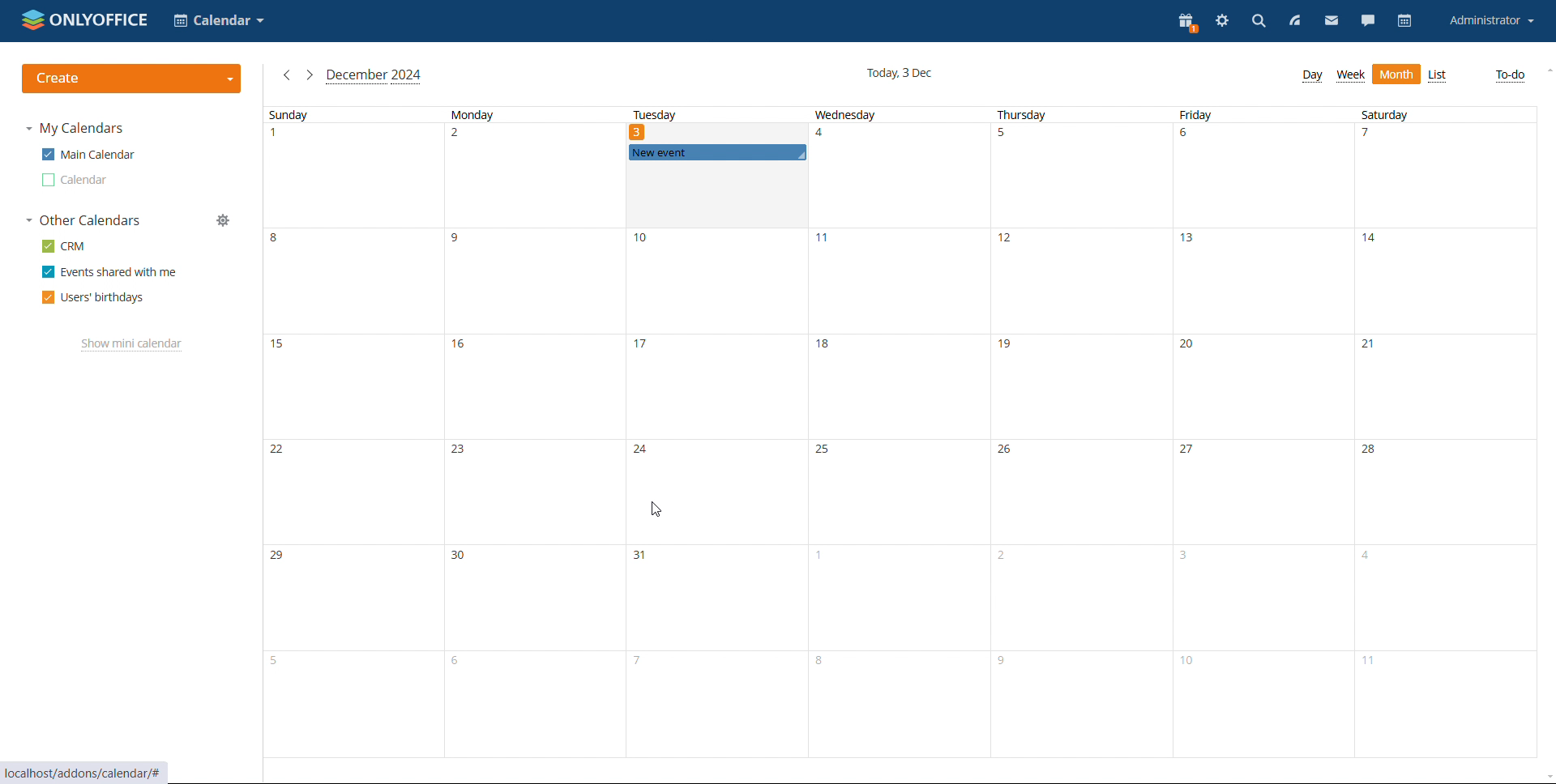 The width and height of the screenshot is (1556, 784). Describe the element at coordinates (1445, 387) in the screenshot. I see `date` at that location.